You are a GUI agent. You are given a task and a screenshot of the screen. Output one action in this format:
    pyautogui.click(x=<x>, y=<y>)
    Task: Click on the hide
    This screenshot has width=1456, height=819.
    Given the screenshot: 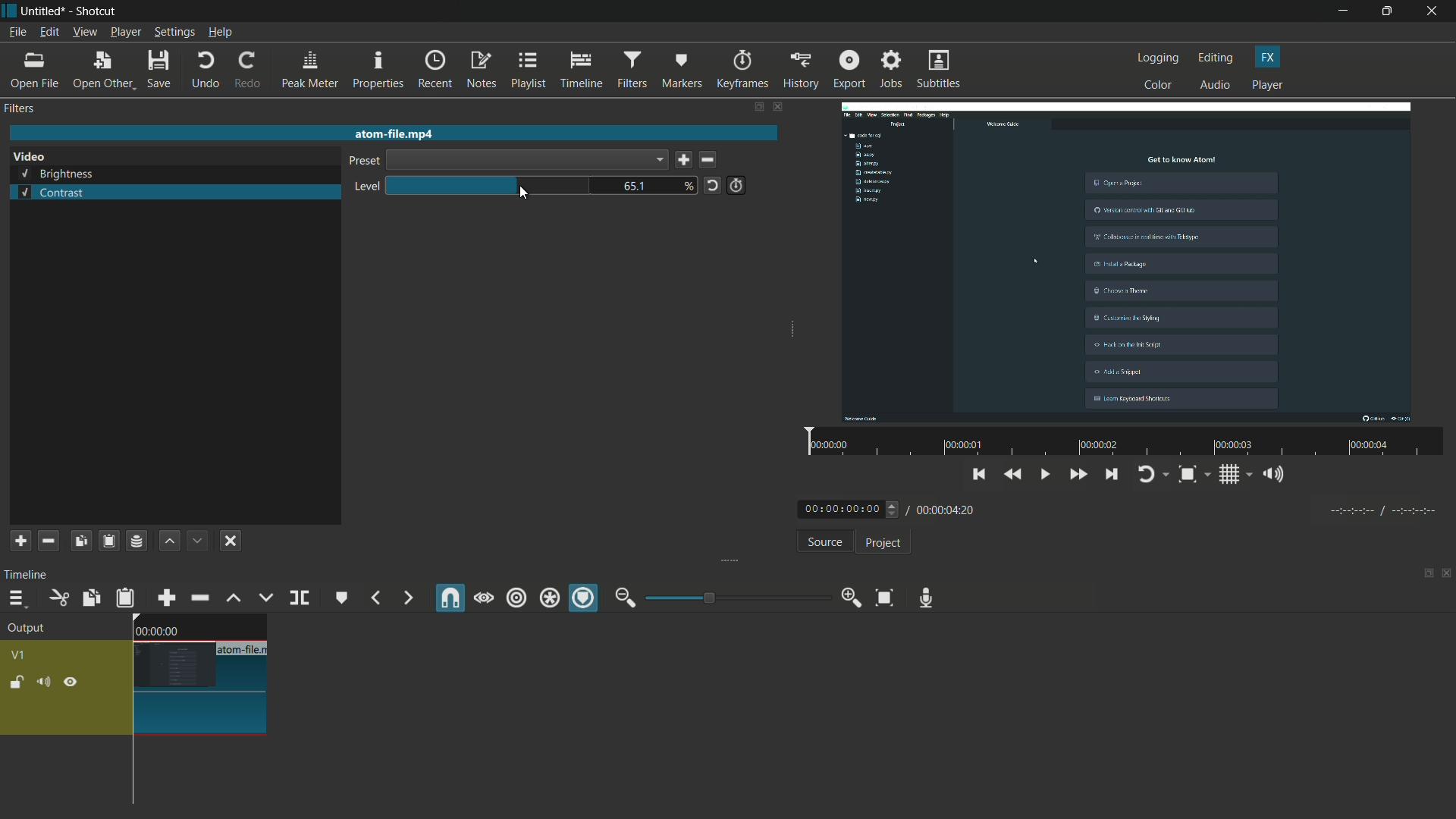 What is the action you would take?
    pyautogui.click(x=71, y=682)
    